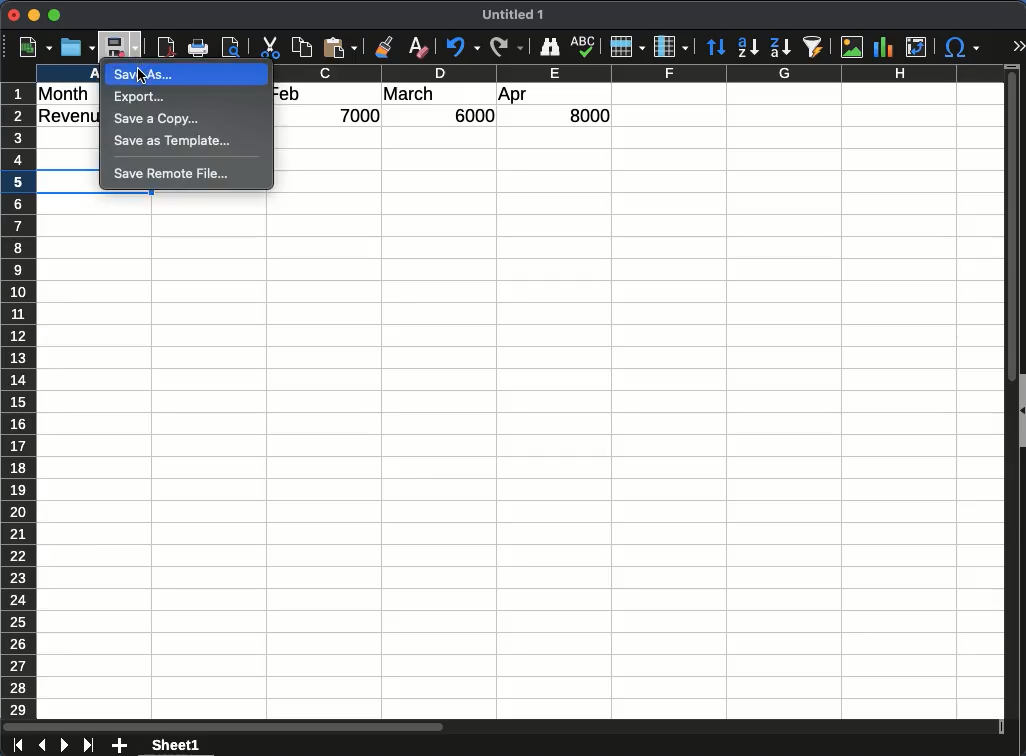 This screenshot has height=756, width=1026. I want to click on scroll, so click(1004, 402).